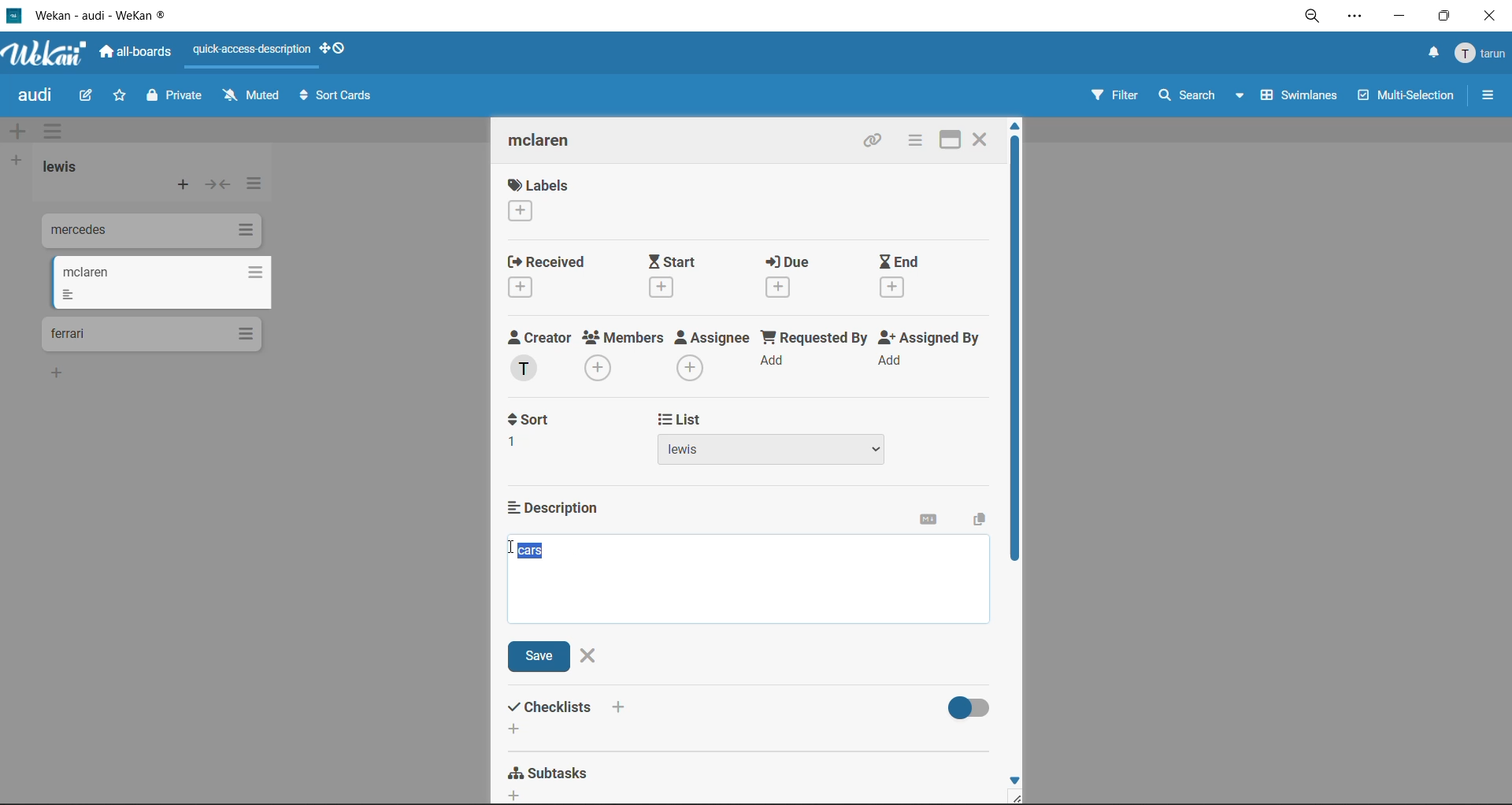  I want to click on list title, so click(67, 169).